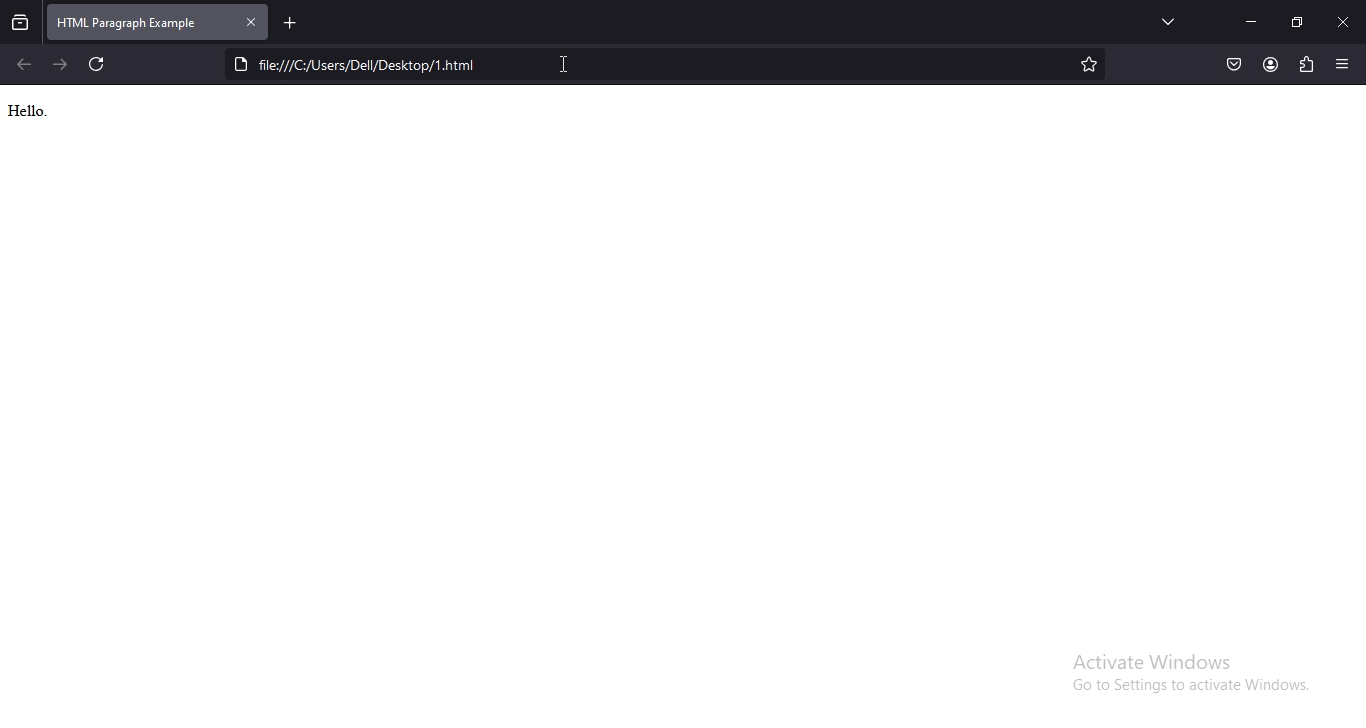  I want to click on open application menu, so click(1342, 64).